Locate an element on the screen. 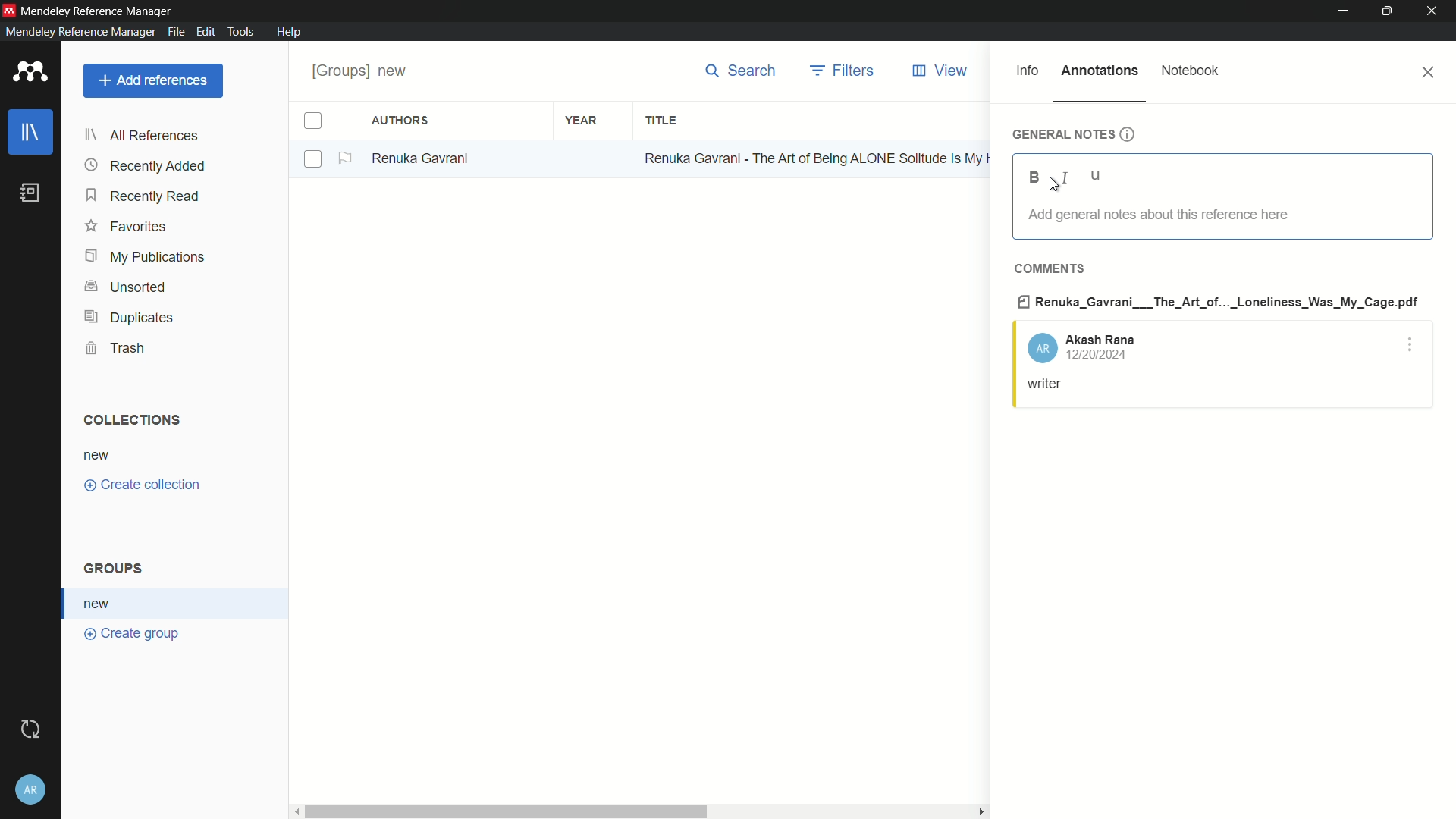 The height and width of the screenshot is (819, 1456). duplicates is located at coordinates (128, 318).